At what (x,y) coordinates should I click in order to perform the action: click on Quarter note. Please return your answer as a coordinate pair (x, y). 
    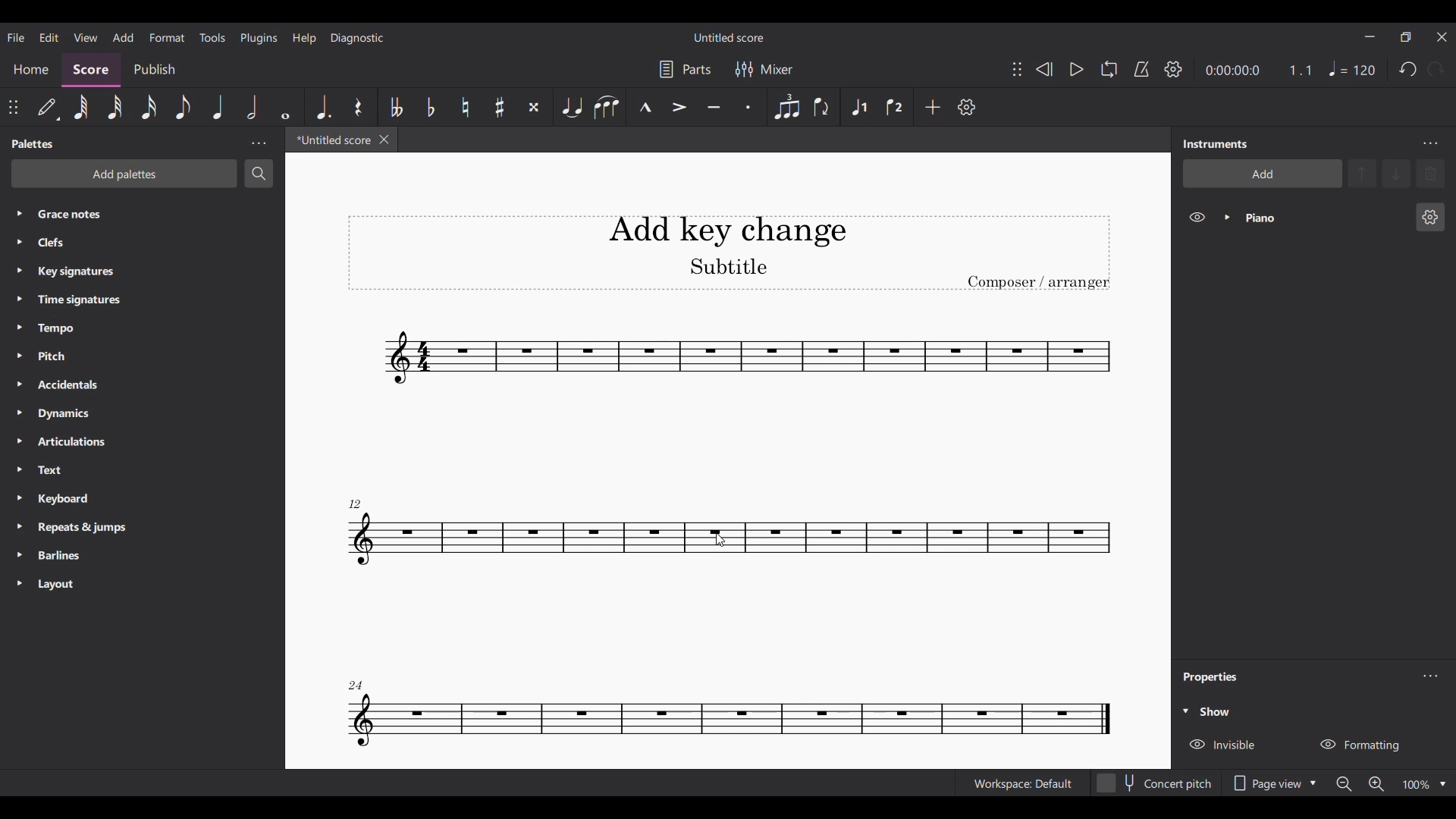
    Looking at the image, I should click on (219, 106).